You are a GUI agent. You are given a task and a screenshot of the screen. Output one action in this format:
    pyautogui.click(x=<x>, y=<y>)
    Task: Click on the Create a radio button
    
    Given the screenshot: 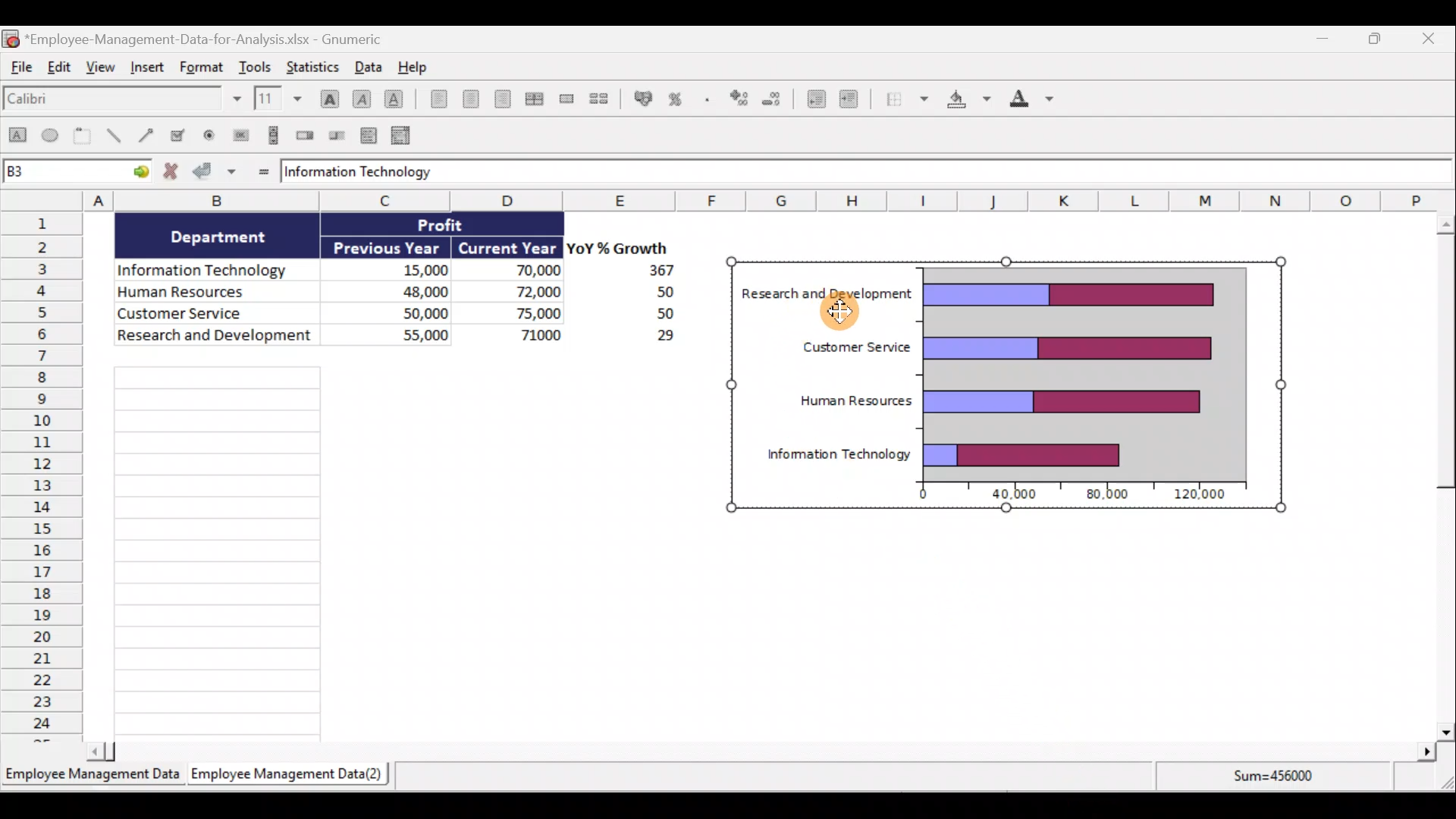 What is the action you would take?
    pyautogui.click(x=206, y=136)
    